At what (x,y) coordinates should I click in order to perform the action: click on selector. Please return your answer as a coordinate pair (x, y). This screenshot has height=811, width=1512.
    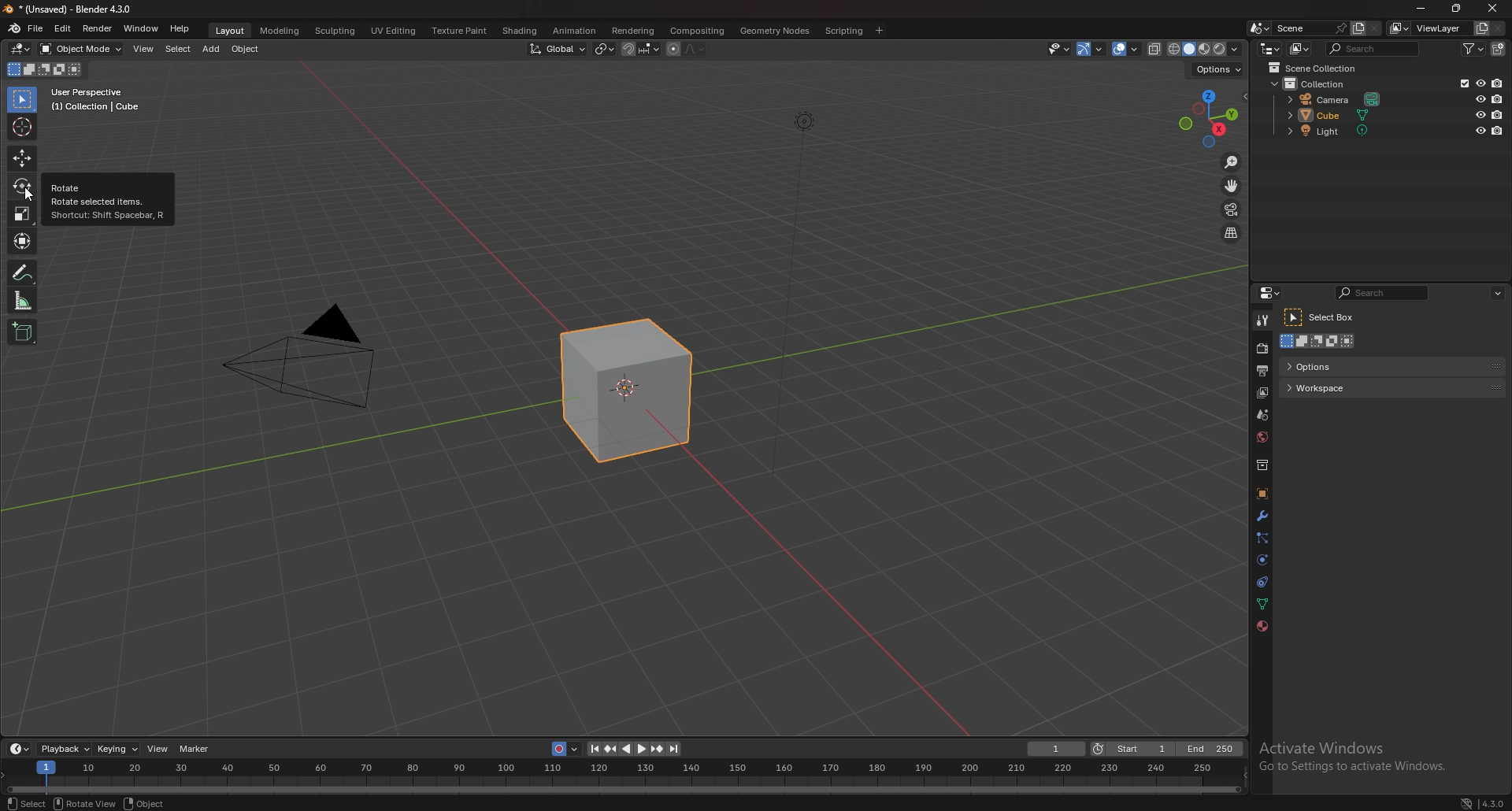
    Looking at the image, I should click on (22, 100).